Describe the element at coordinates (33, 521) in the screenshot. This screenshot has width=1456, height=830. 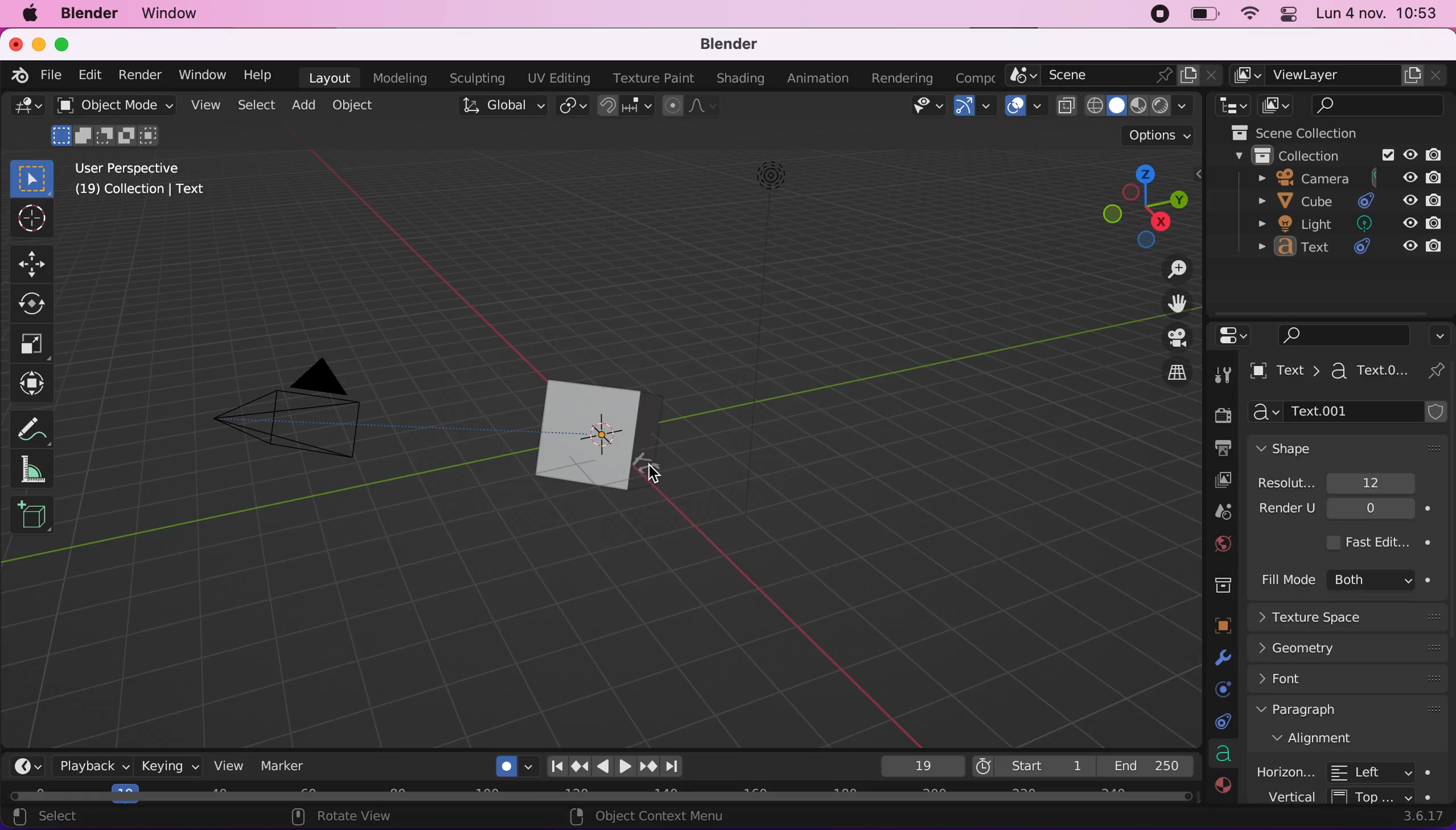
I see `add cube` at that location.